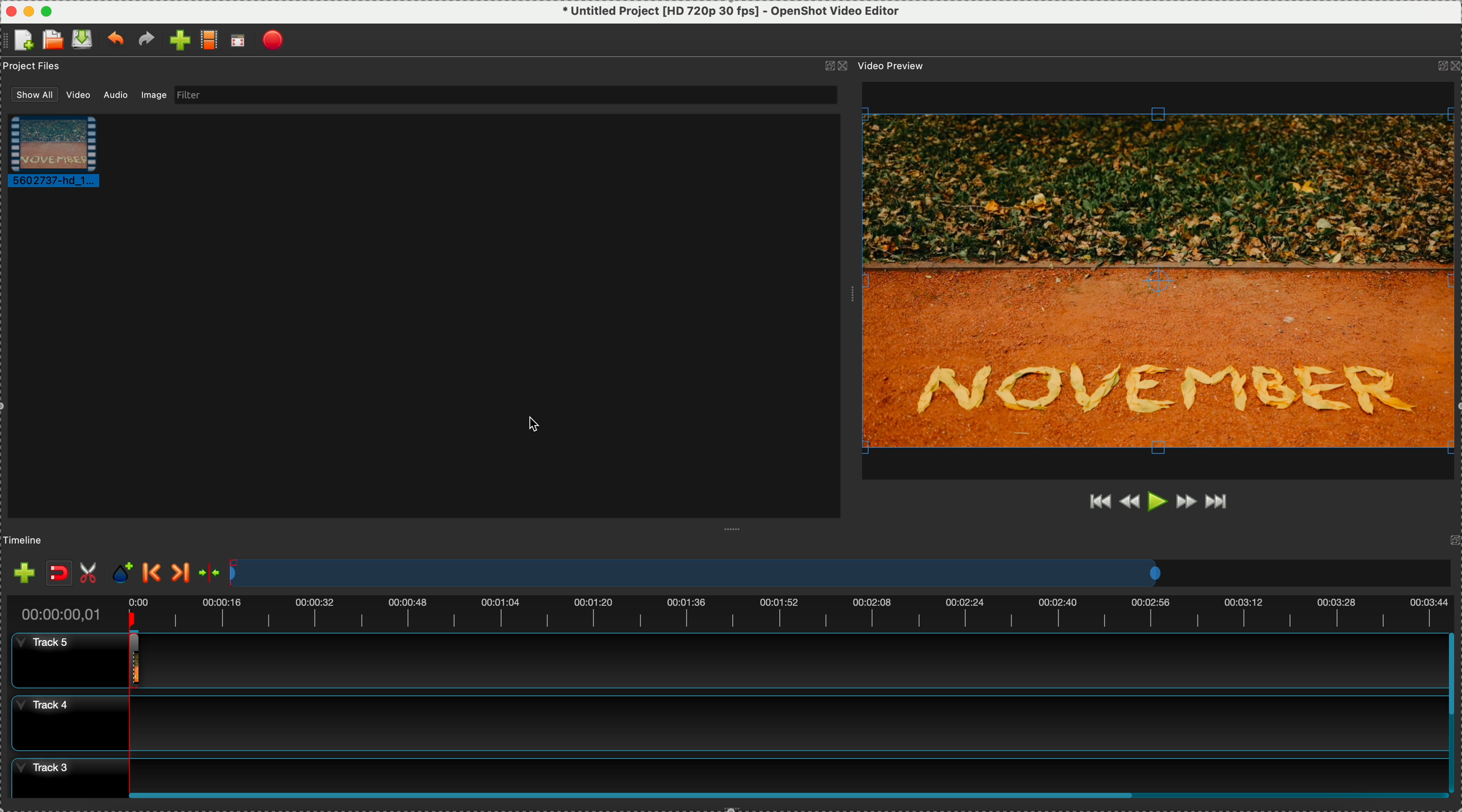 Image resolution: width=1462 pixels, height=812 pixels. Describe the element at coordinates (722, 723) in the screenshot. I see `track 4` at that location.